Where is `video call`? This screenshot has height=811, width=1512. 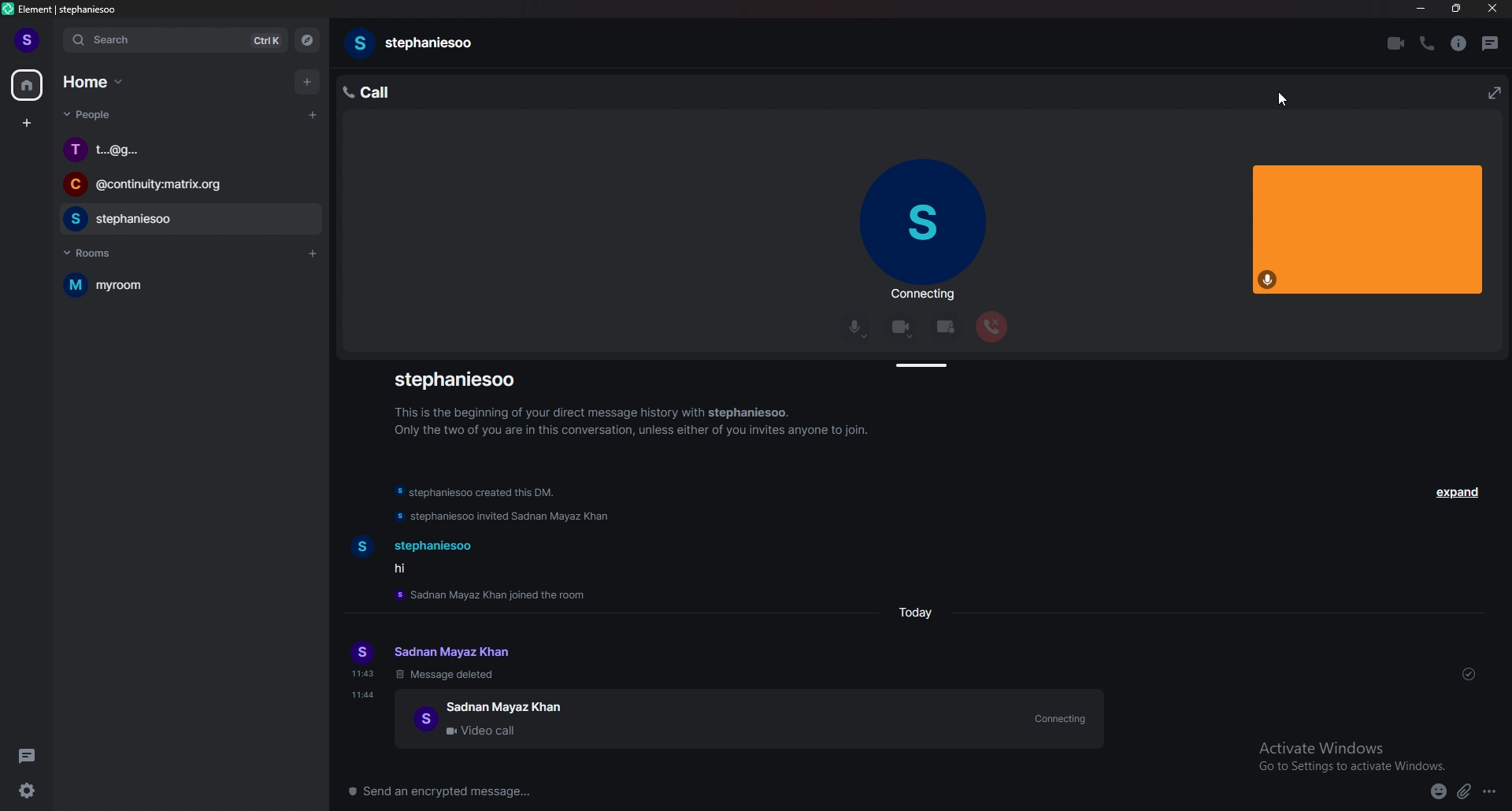
video call is located at coordinates (1398, 44).